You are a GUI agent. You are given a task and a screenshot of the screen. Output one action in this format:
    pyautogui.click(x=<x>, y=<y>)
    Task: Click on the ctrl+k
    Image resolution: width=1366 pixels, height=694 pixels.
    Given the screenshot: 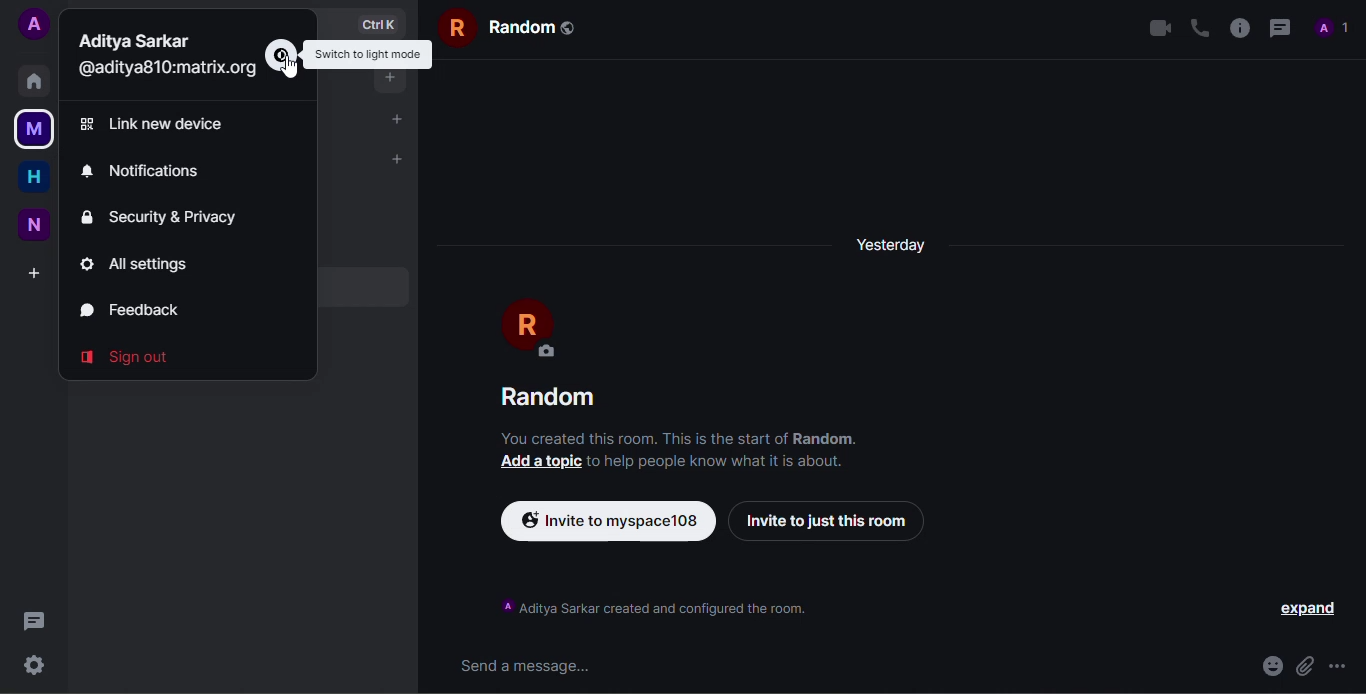 What is the action you would take?
    pyautogui.click(x=378, y=22)
    